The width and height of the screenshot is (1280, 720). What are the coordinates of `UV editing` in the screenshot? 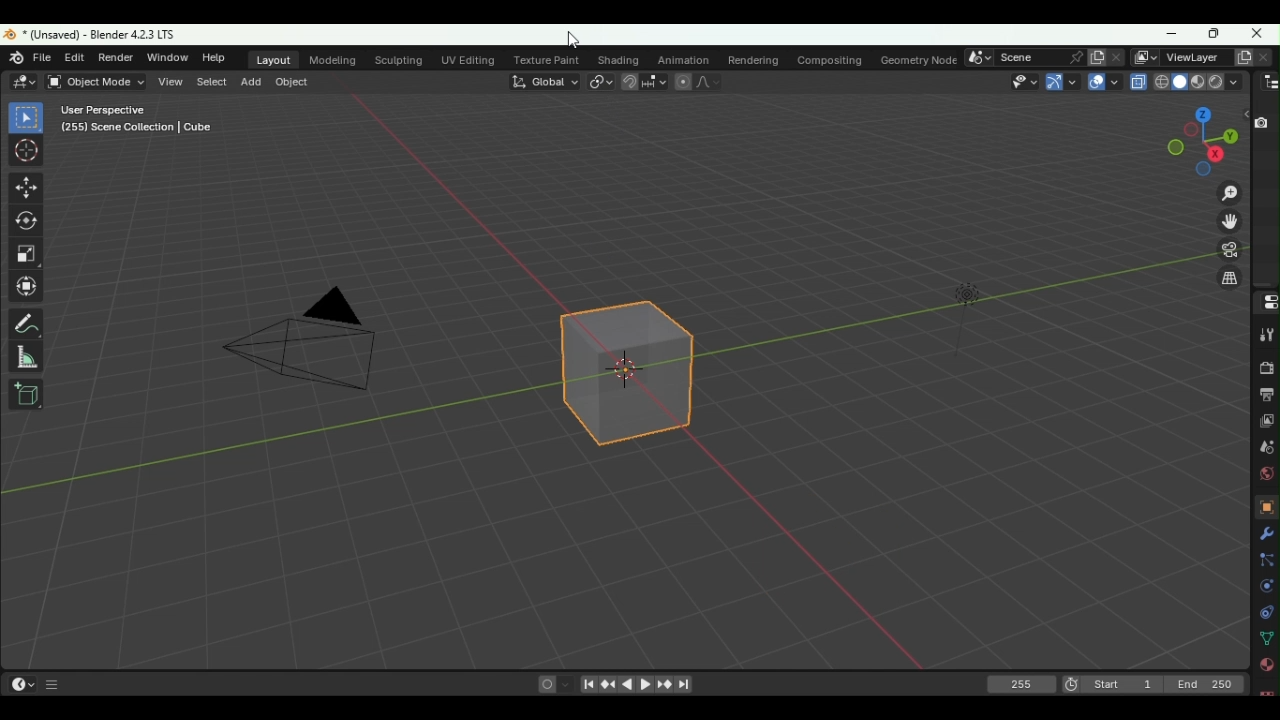 It's located at (472, 57).